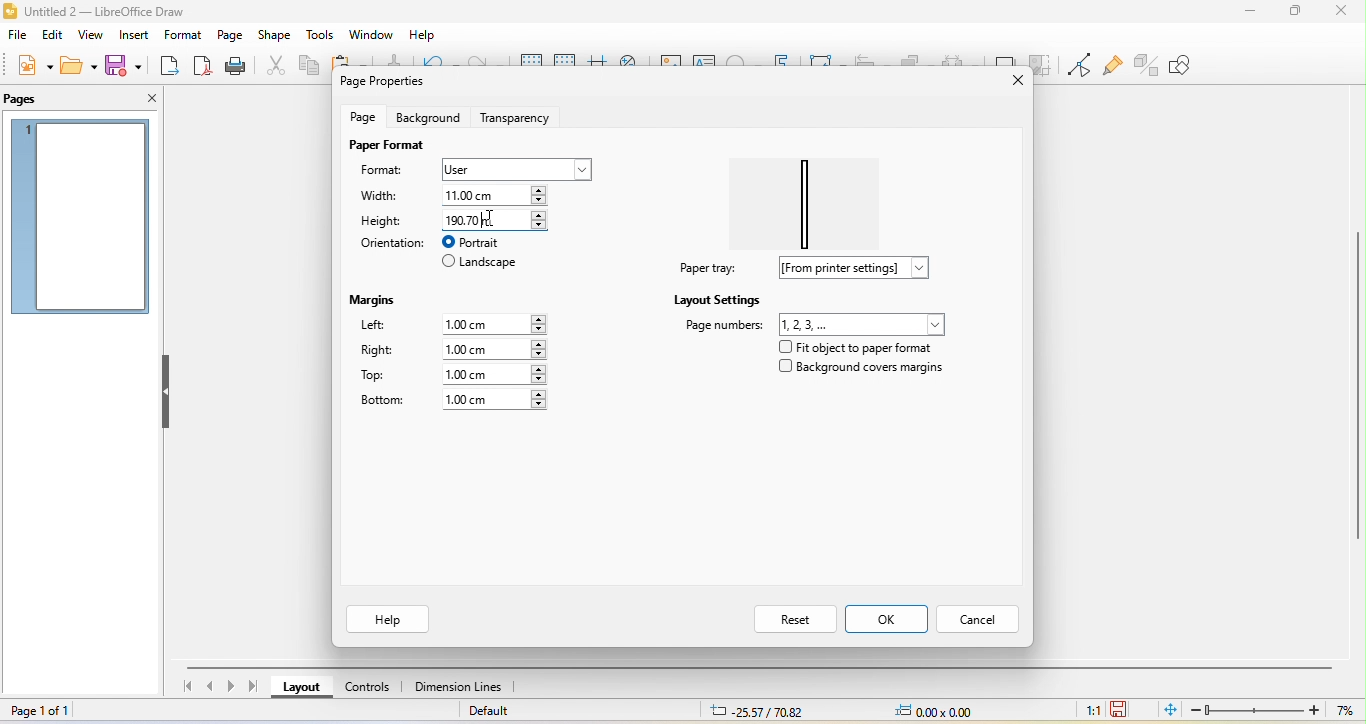 The width and height of the screenshot is (1366, 724). I want to click on paper, so click(812, 197).